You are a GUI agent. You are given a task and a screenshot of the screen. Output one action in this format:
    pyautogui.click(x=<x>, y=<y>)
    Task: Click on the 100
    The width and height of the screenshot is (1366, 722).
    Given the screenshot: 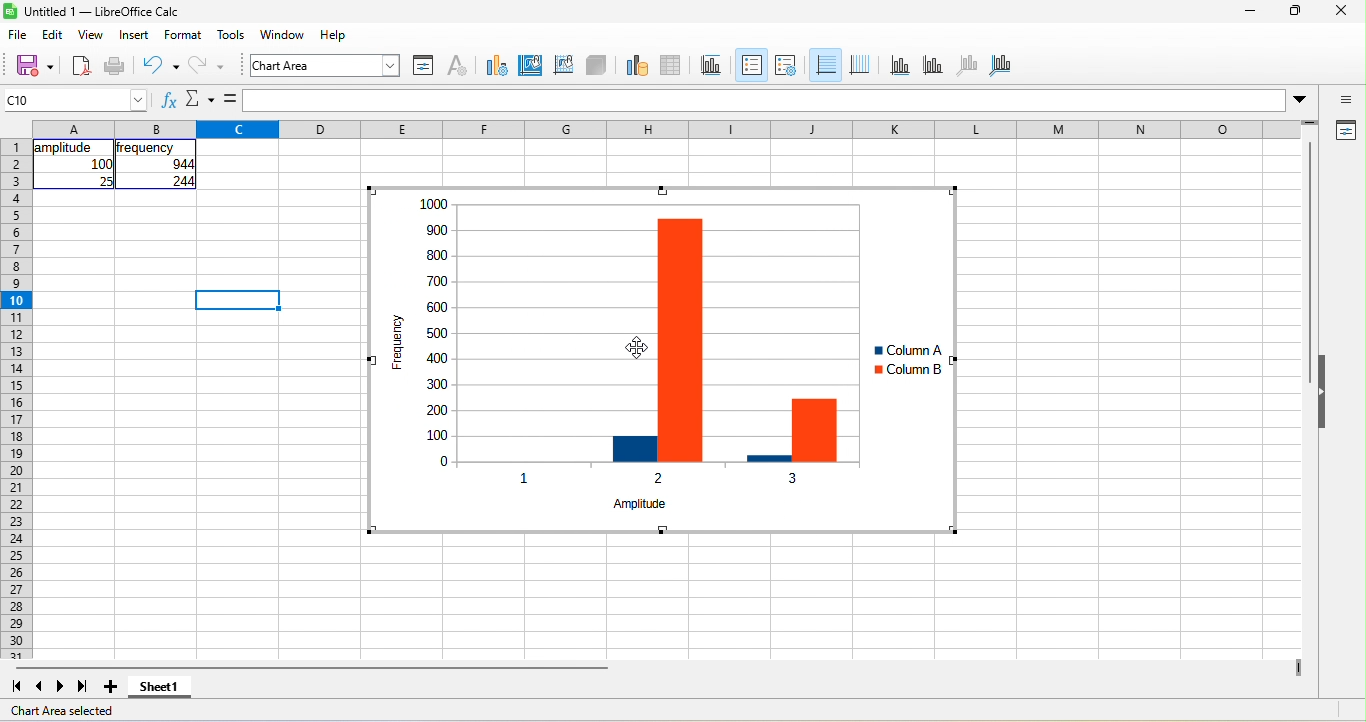 What is the action you would take?
    pyautogui.click(x=101, y=164)
    